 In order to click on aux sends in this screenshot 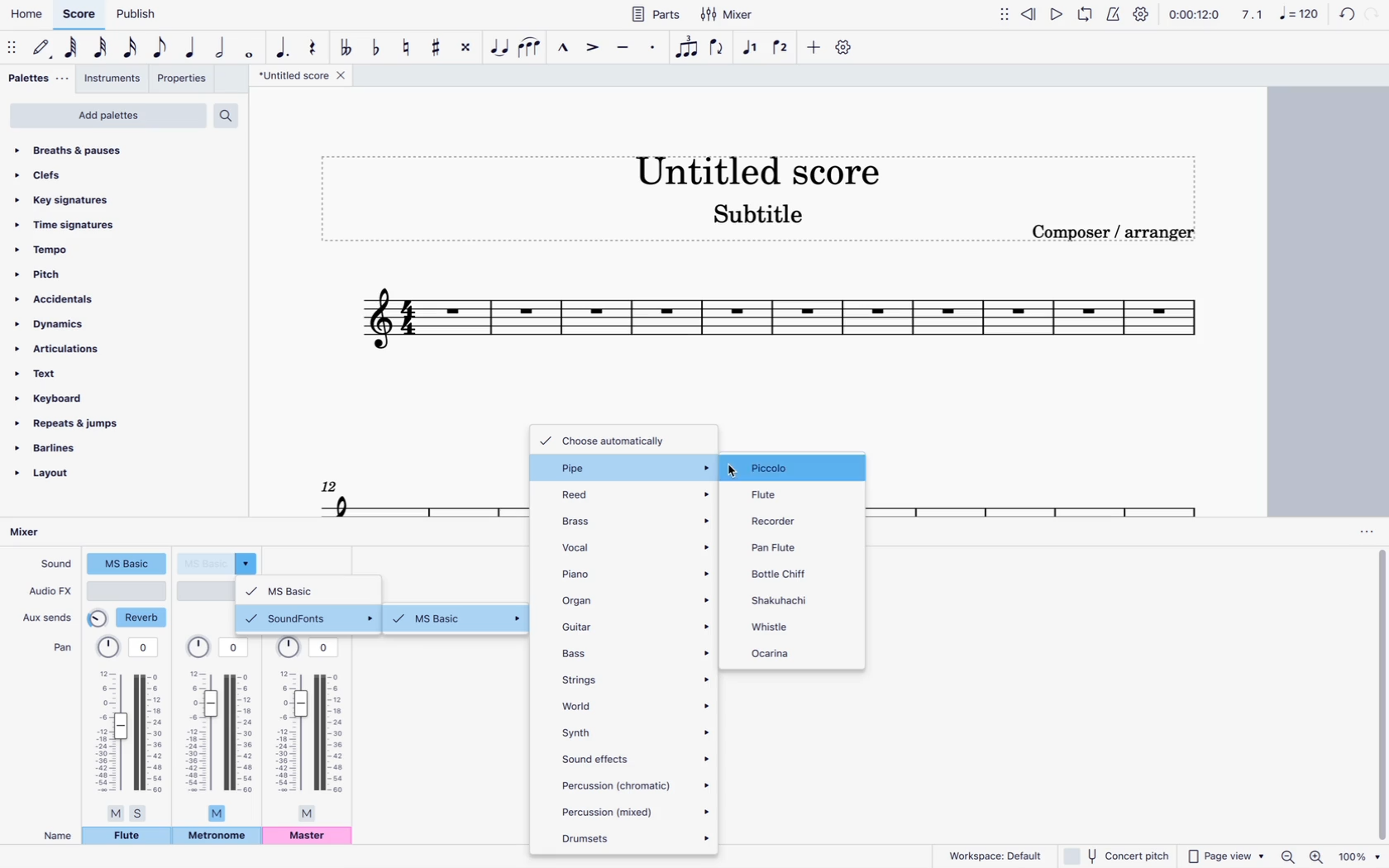, I will do `click(50, 617)`.